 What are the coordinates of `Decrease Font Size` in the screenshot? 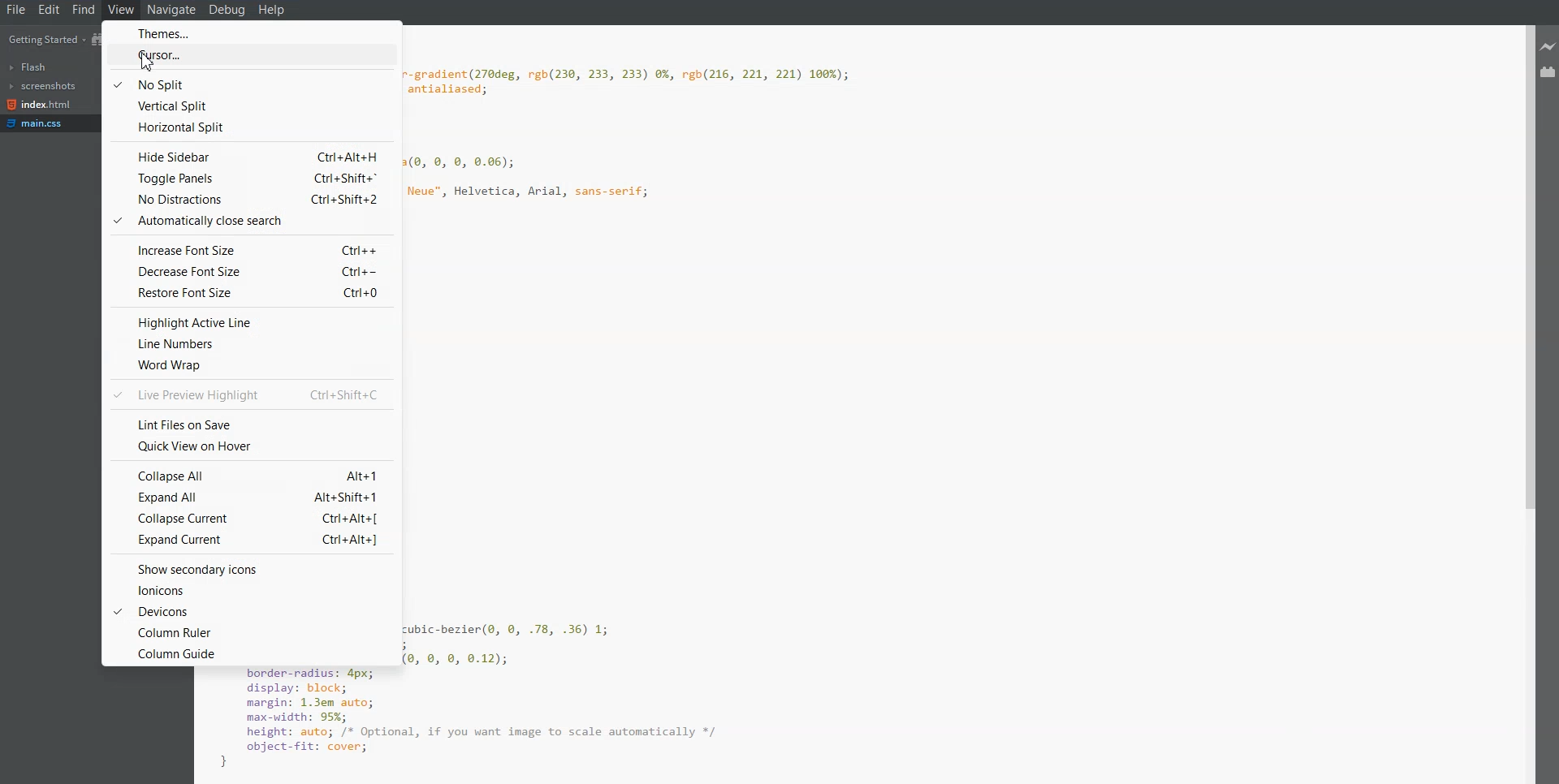 It's located at (248, 271).